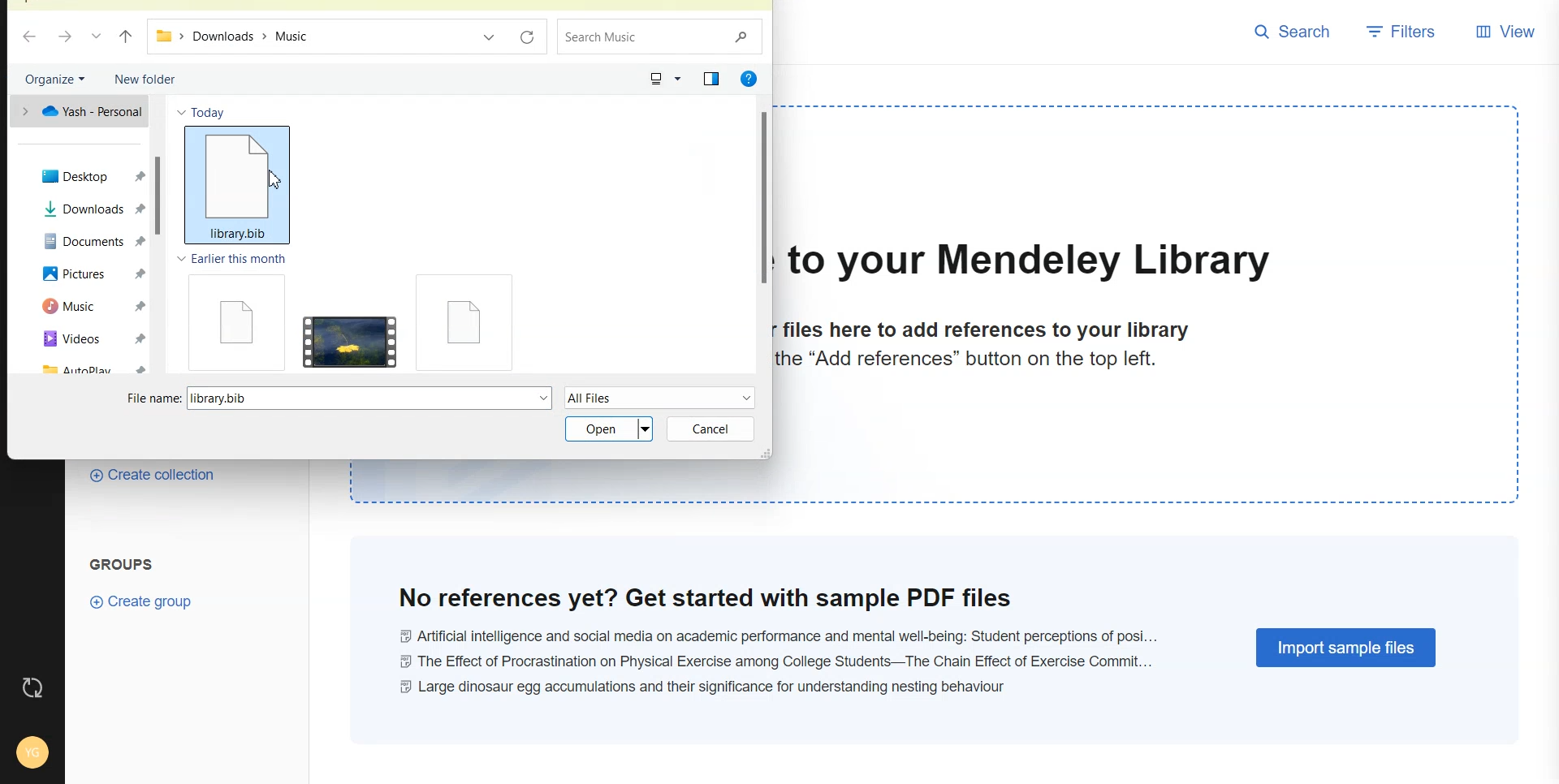 This screenshot has width=1559, height=784. Describe the element at coordinates (790, 661) in the screenshot. I see `@ Artificial intelligence and social media on academic performance and mental well-being: Student perceptions of posi...
© The Effect of Procrastination on Physical Exercise among College Students—The Chain Effect of Exercise Commit...
© Large dinosaur egg accumulations and their significance for understanding nesting behaviour` at that location.